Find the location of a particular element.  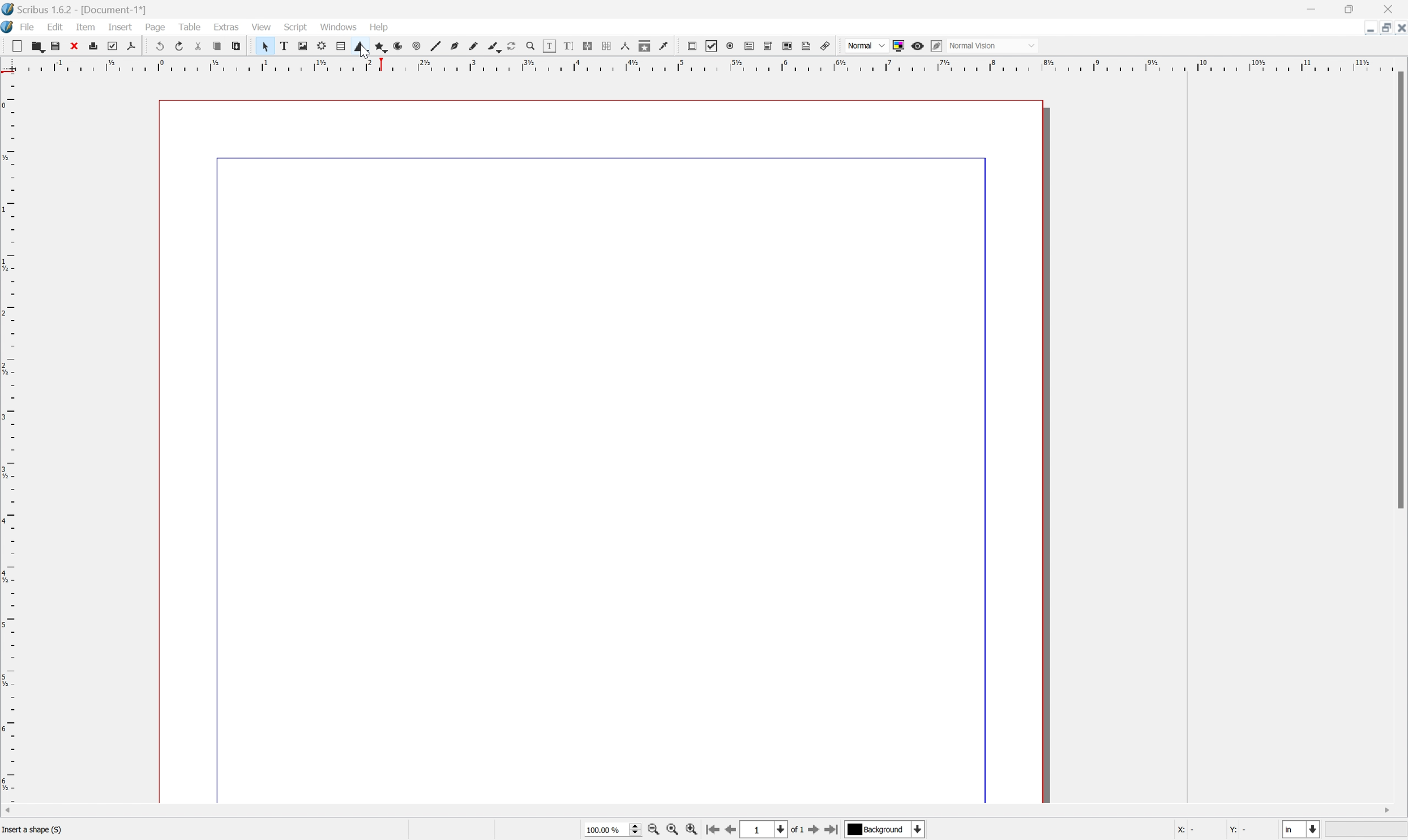

Help is located at coordinates (379, 28).